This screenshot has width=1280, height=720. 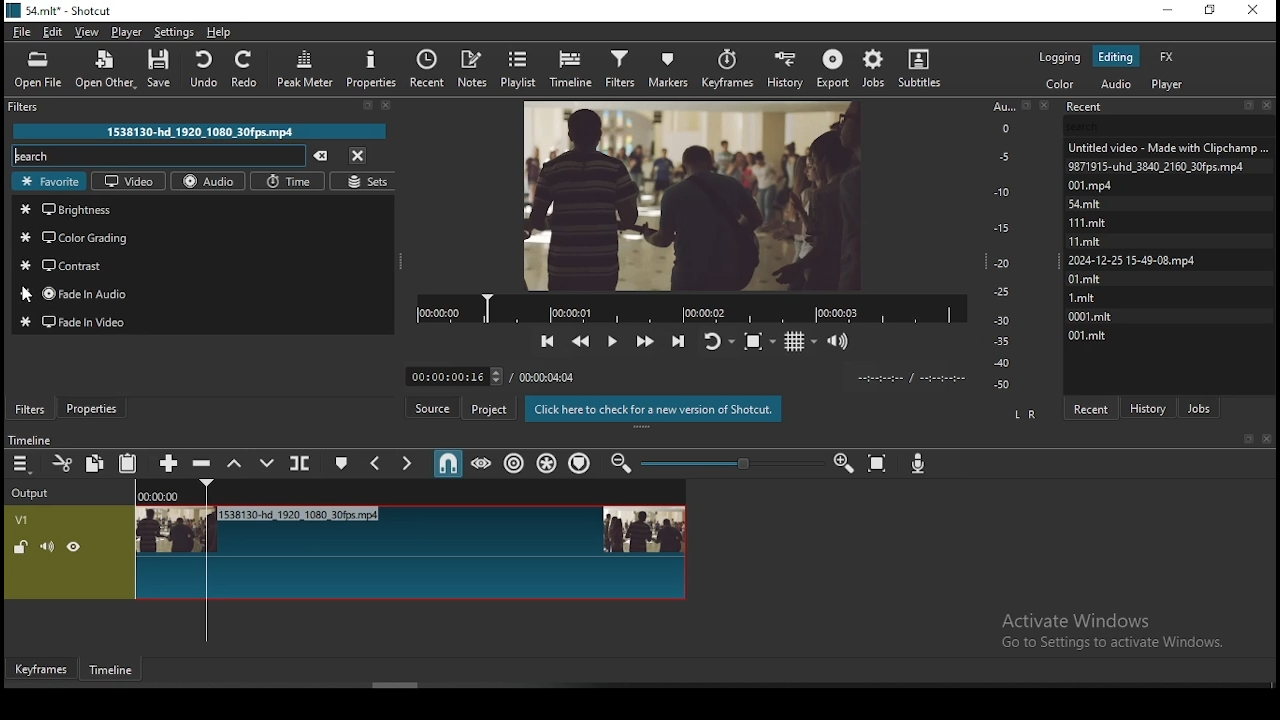 What do you see at coordinates (732, 463) in the screenshot?
I see `zoom in or zoom out slider` at bounding box center [732, 463].